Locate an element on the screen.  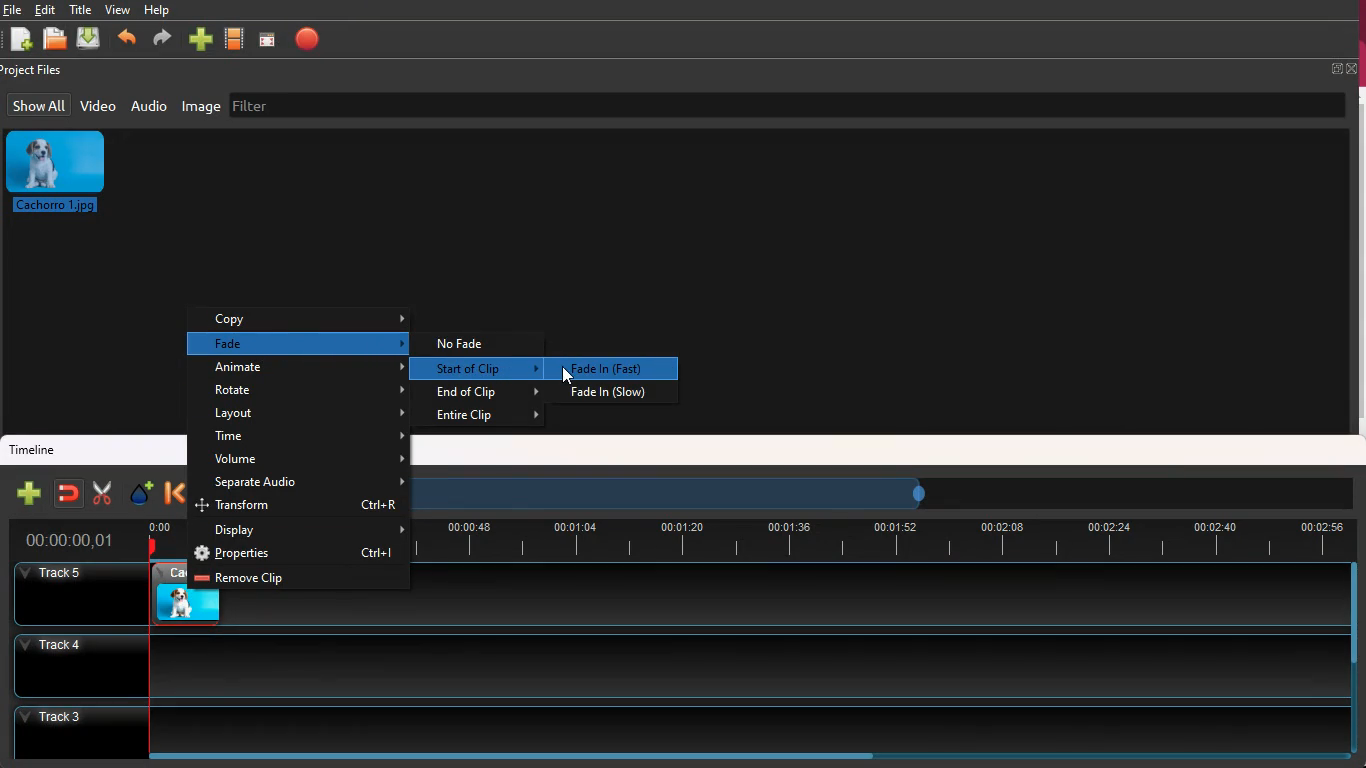
effect is located at coordinates (143, 494).